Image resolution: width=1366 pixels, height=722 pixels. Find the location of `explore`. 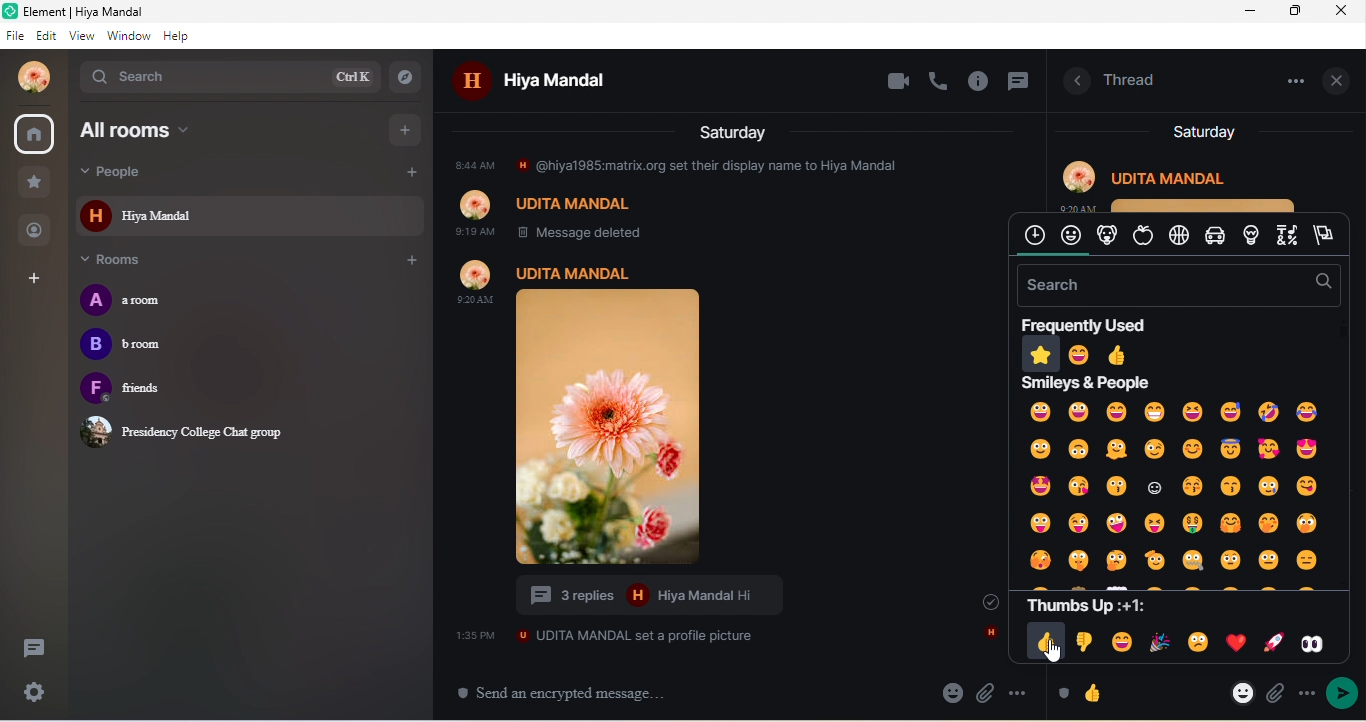

explore is located at coordinates (409, 76).